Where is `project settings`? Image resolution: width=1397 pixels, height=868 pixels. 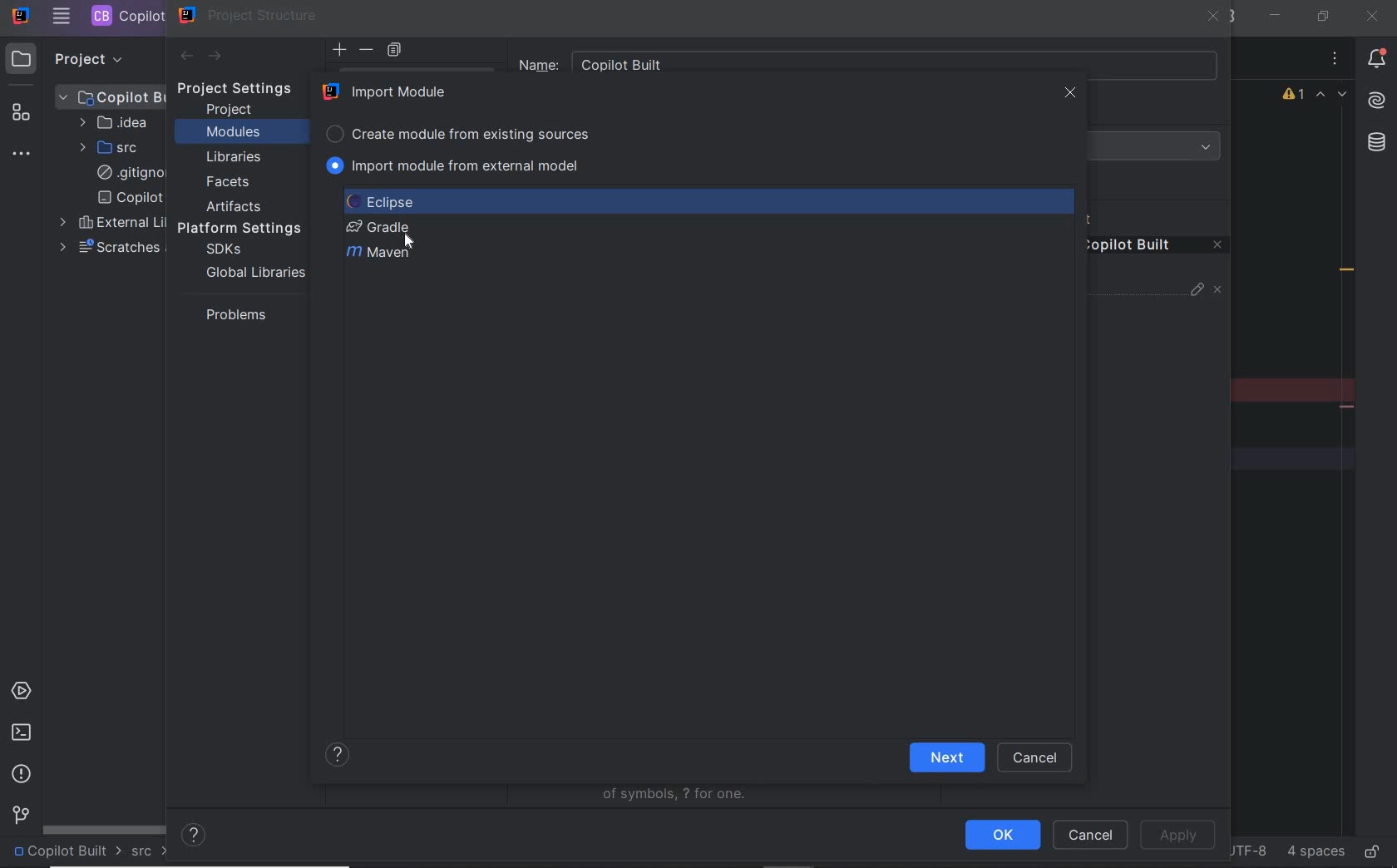
project settings is located at coordinates (246, 89).